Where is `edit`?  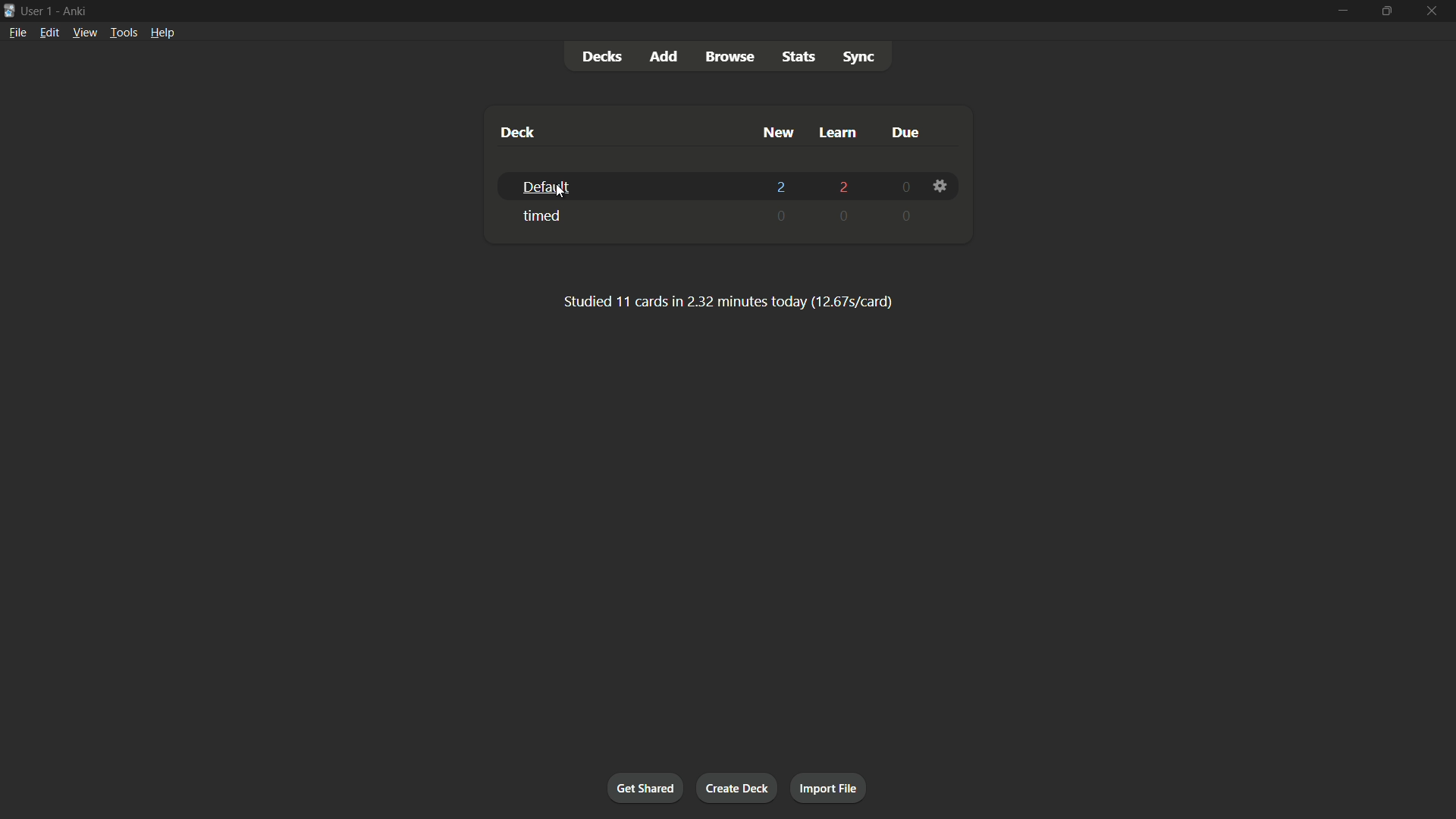 edit is located at coordinates (51, 32).